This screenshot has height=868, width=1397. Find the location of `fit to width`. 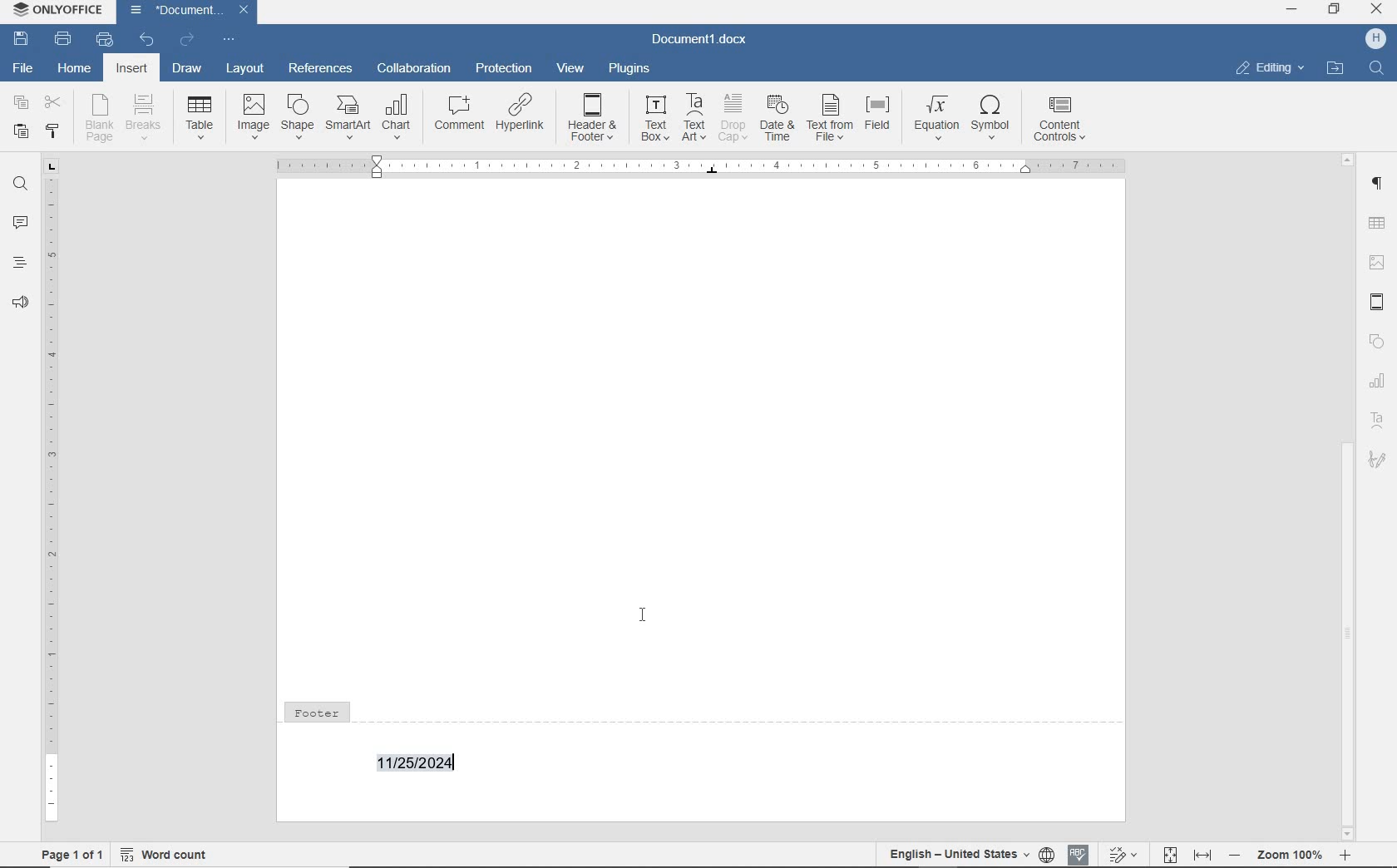

fit to width is located at coordinates (1203, 856).